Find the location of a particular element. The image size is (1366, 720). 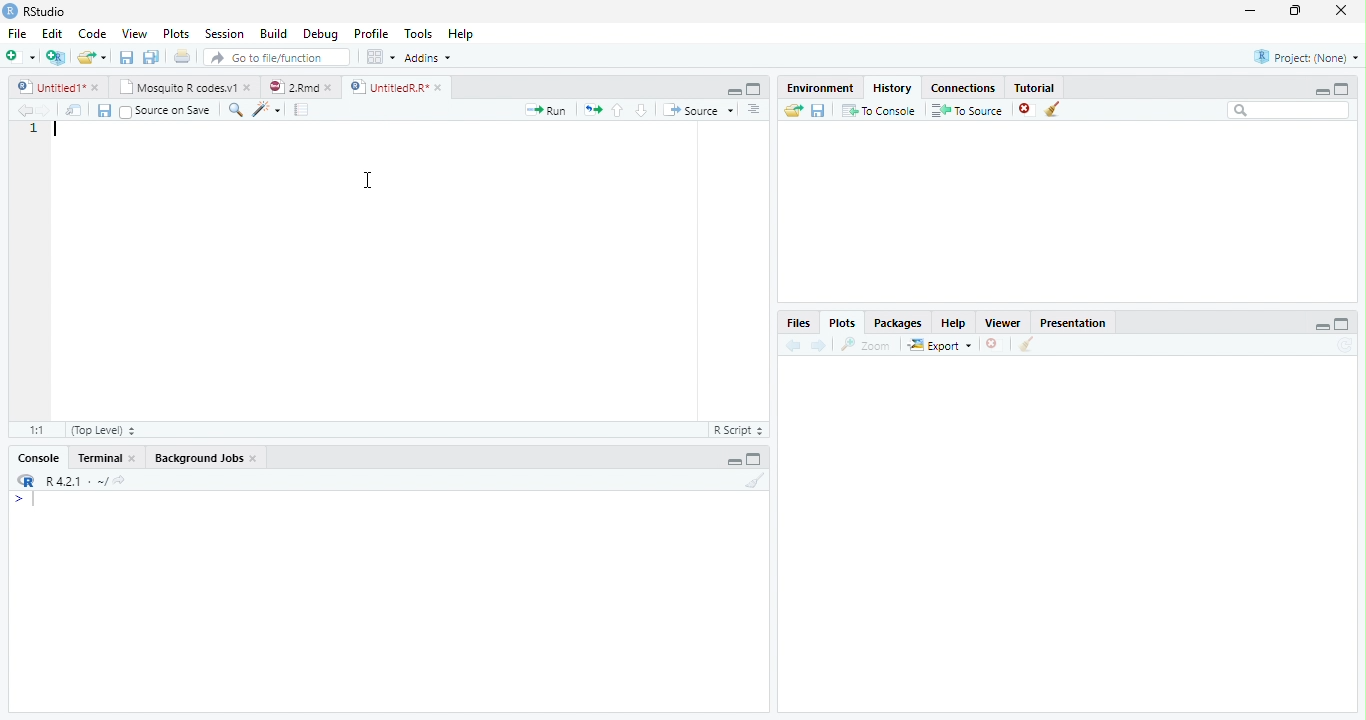

save is located at coordinates (104, 111).